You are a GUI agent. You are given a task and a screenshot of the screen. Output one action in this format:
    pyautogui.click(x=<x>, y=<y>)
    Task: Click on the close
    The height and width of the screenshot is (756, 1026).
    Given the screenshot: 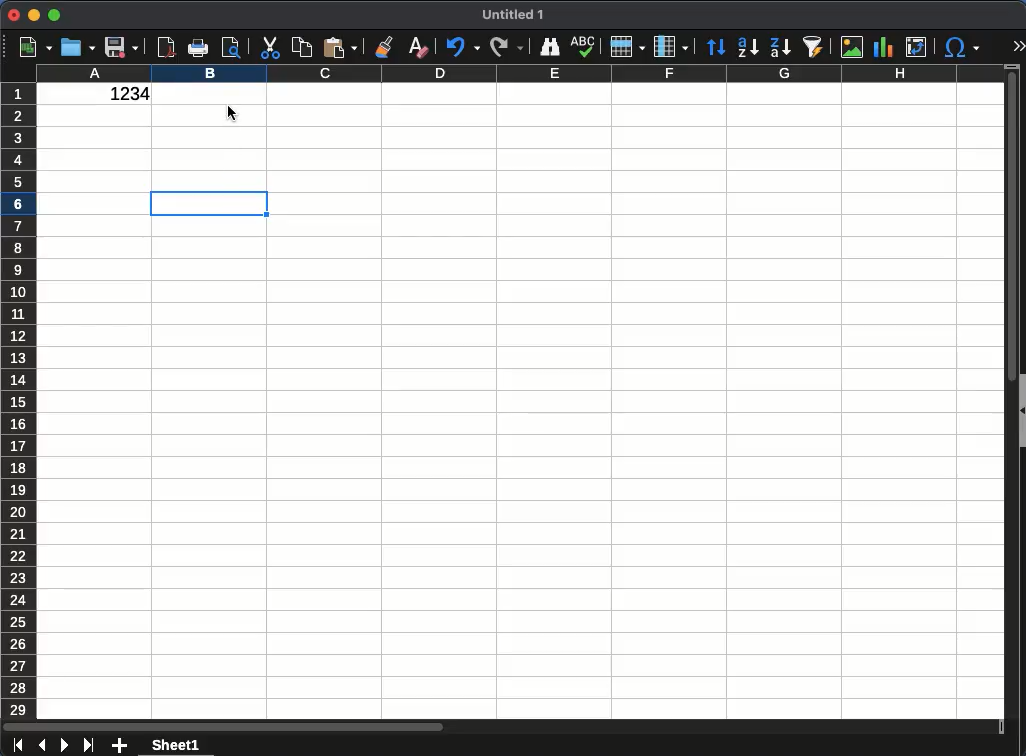 What is the action you would take?
    pyautogui.click(x=14, y=15)
    